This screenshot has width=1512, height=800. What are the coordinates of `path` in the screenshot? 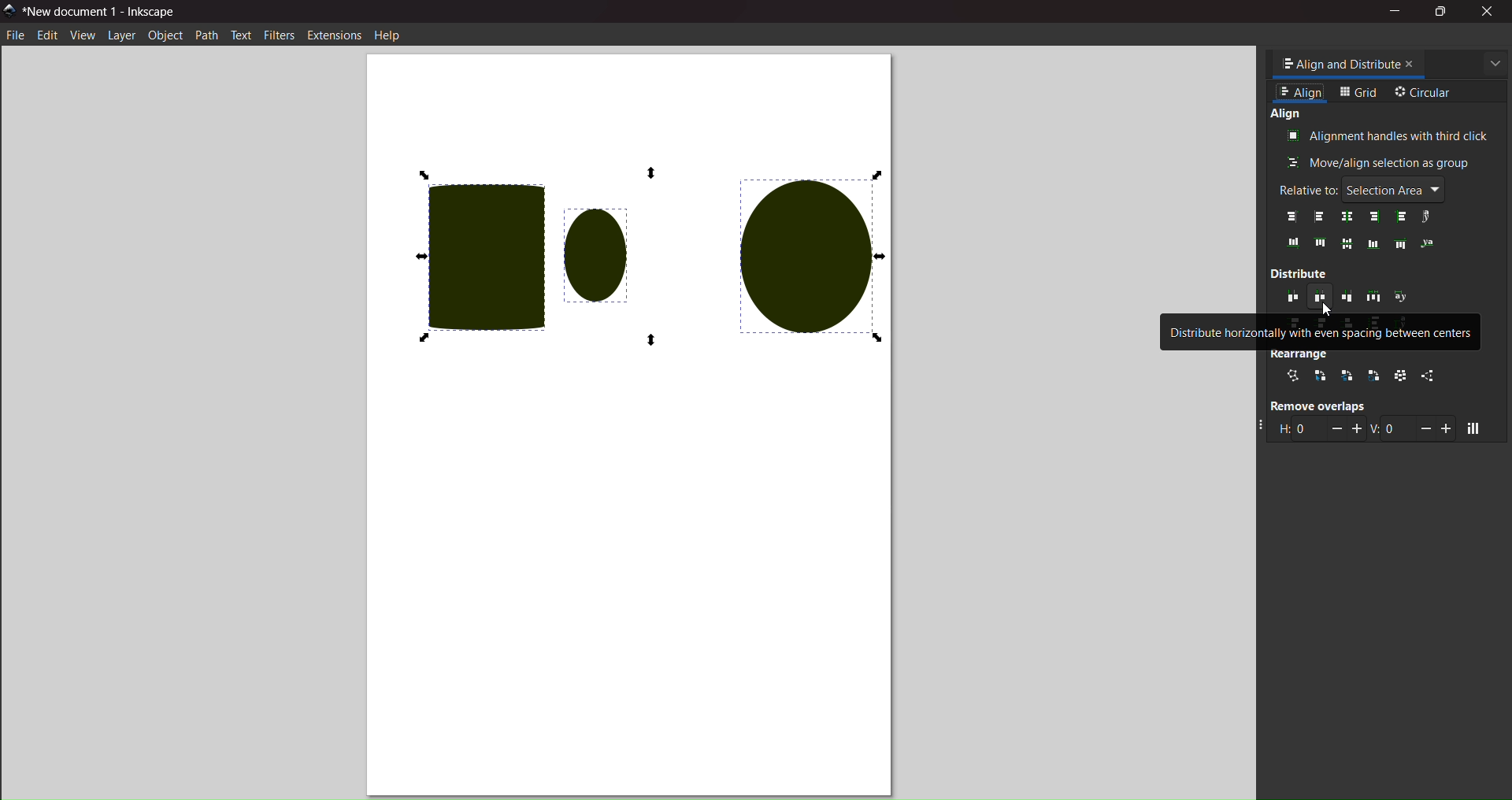 It's located at (207, 35).